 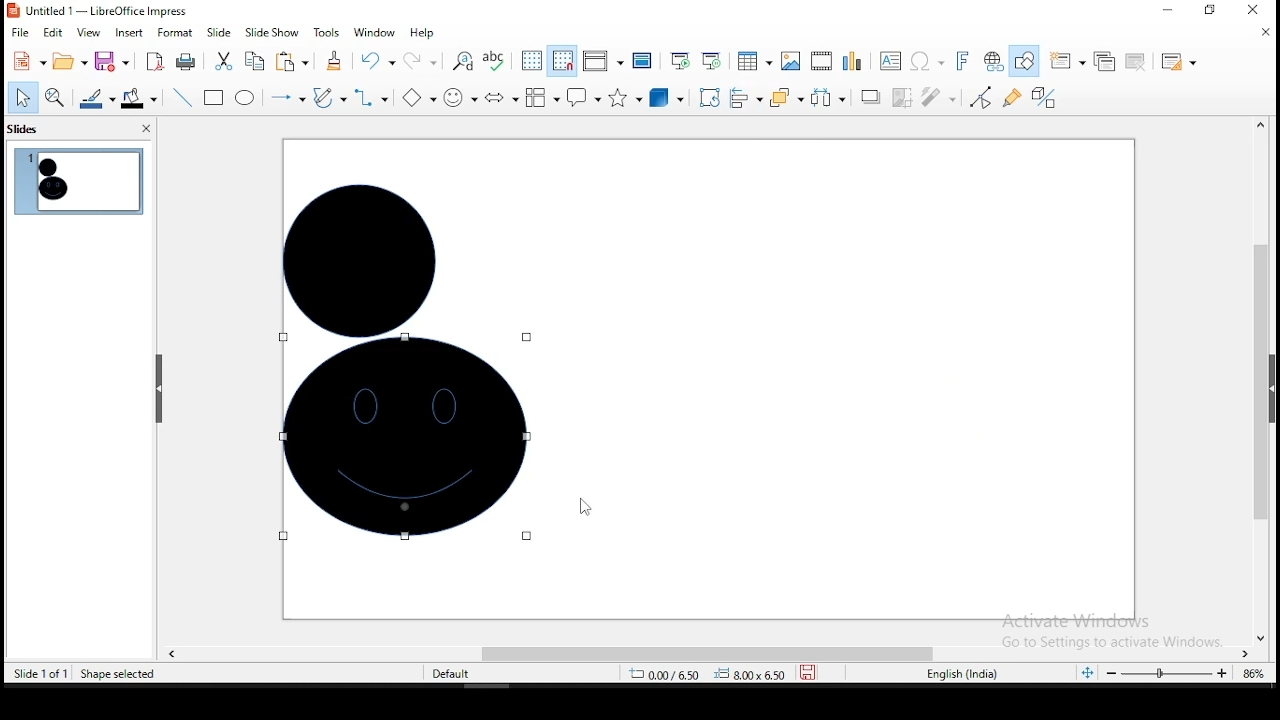 I want to click on format, so click(x=176, y=33).